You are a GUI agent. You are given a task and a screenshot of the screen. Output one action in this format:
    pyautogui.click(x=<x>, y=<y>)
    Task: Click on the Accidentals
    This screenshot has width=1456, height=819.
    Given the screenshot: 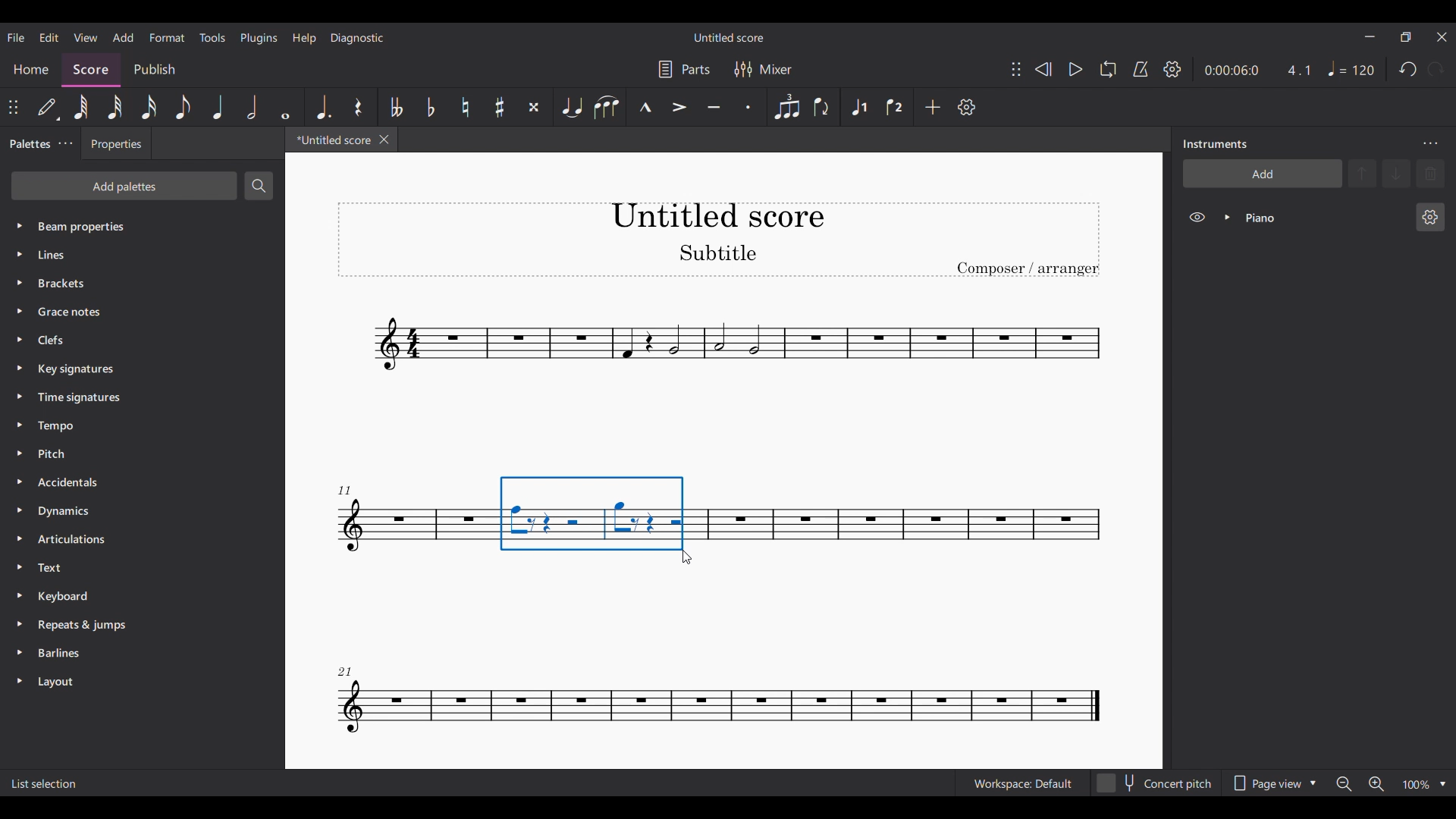 What is the action you would take?
    pyautogui.click(x=127, y=483)
    